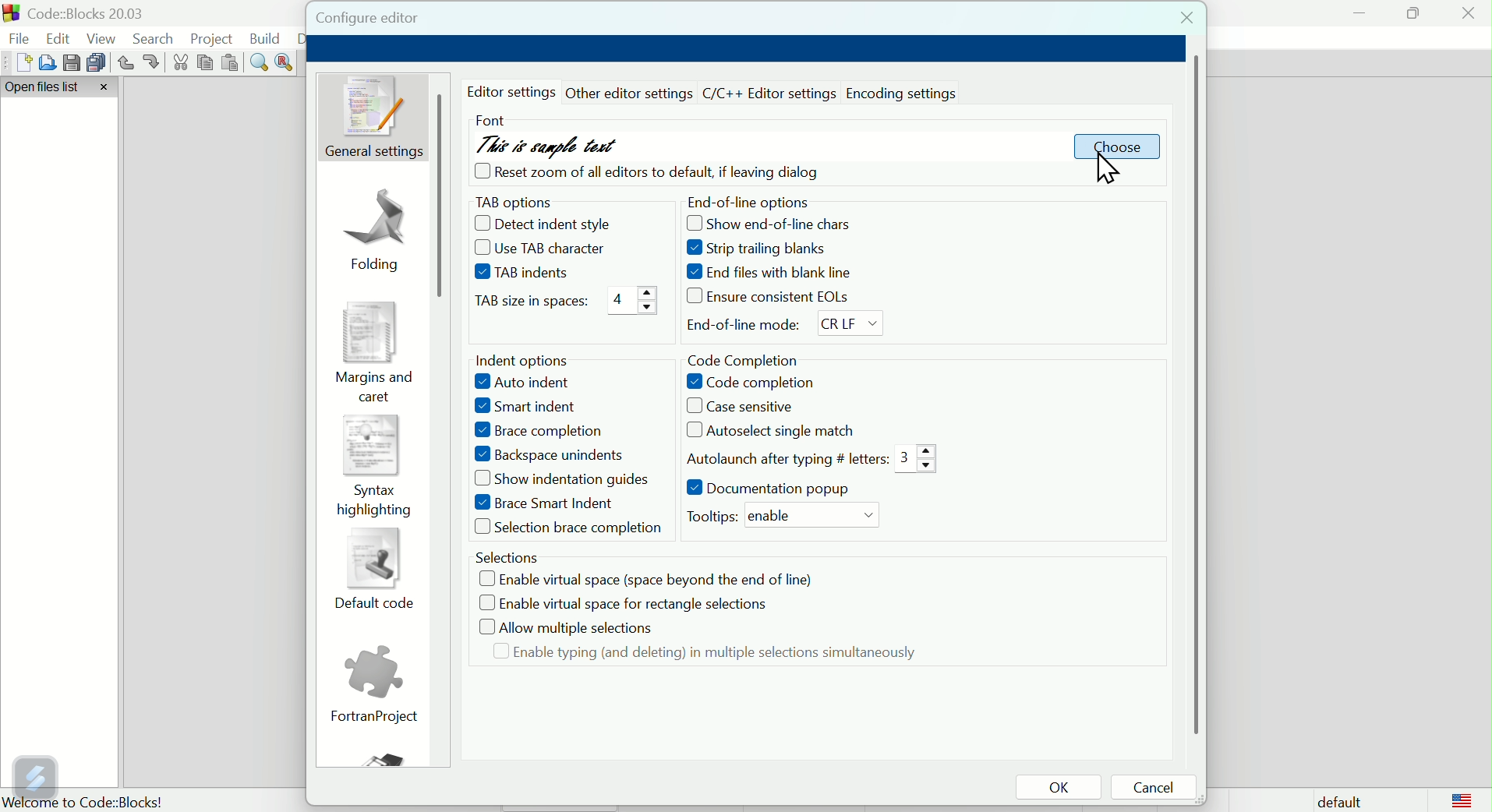 This screenshot has height=812, width=1492. What do you see at coordinates (786, 430) in the screenshot?
I see `Auto select single match` at bounding box center [786, 430].